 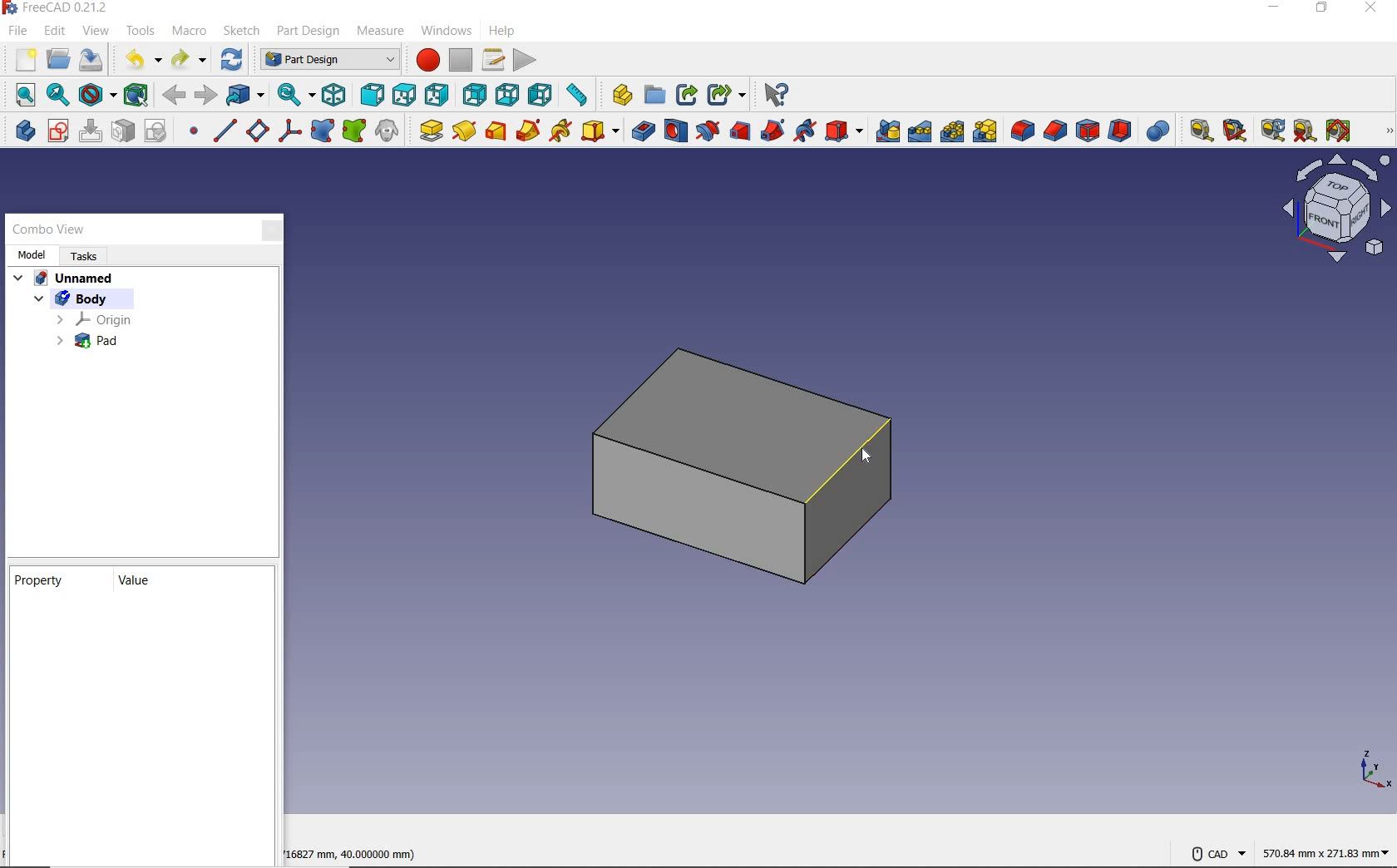 I want to click on go to linked object, so click(x=246, y=94).